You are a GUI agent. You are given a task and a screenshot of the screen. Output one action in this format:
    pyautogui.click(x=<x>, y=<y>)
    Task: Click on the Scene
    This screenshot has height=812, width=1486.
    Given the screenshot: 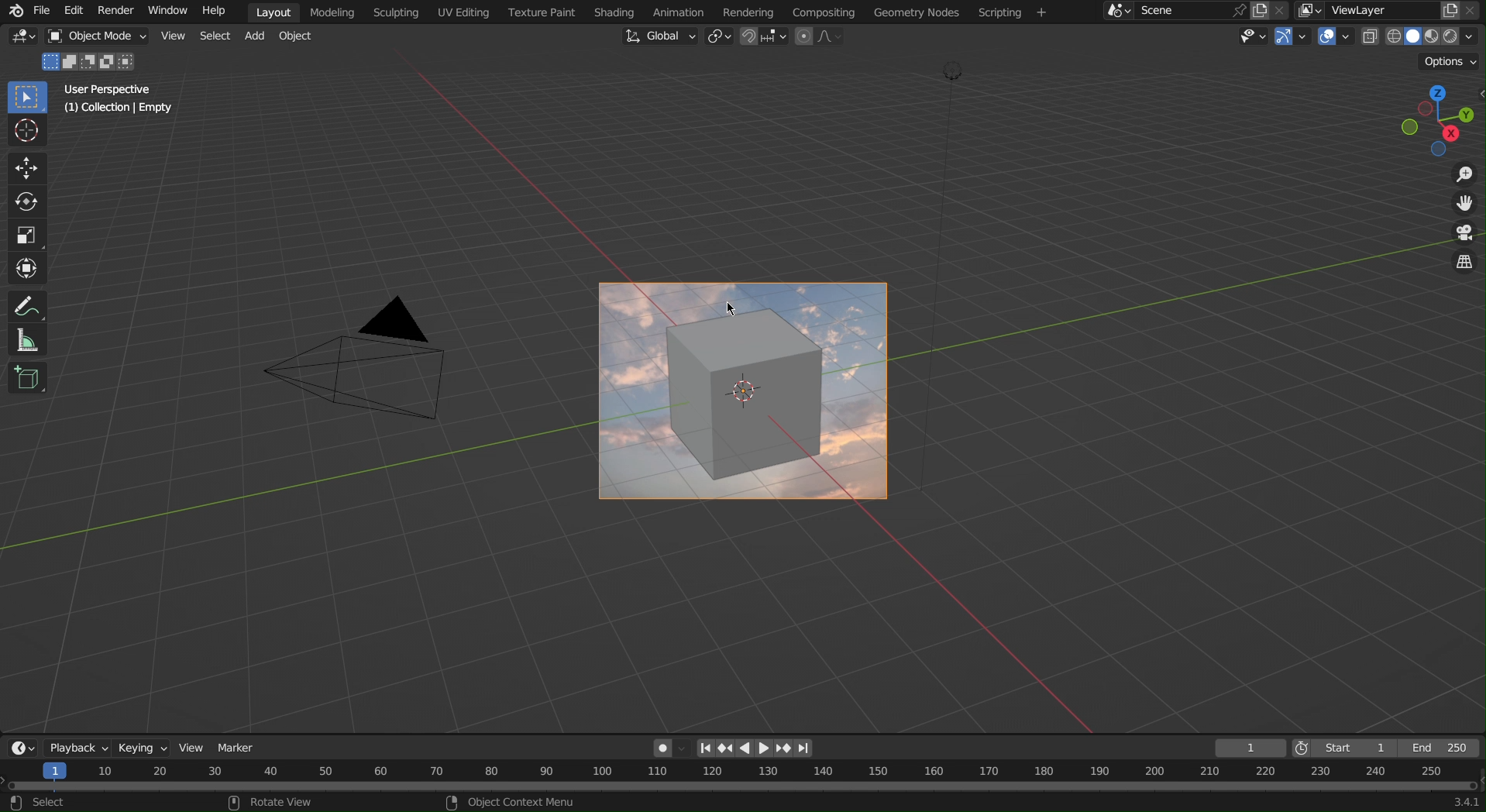 What is the action you would take?
    pyautogui.click(x=1191, y=11)
    